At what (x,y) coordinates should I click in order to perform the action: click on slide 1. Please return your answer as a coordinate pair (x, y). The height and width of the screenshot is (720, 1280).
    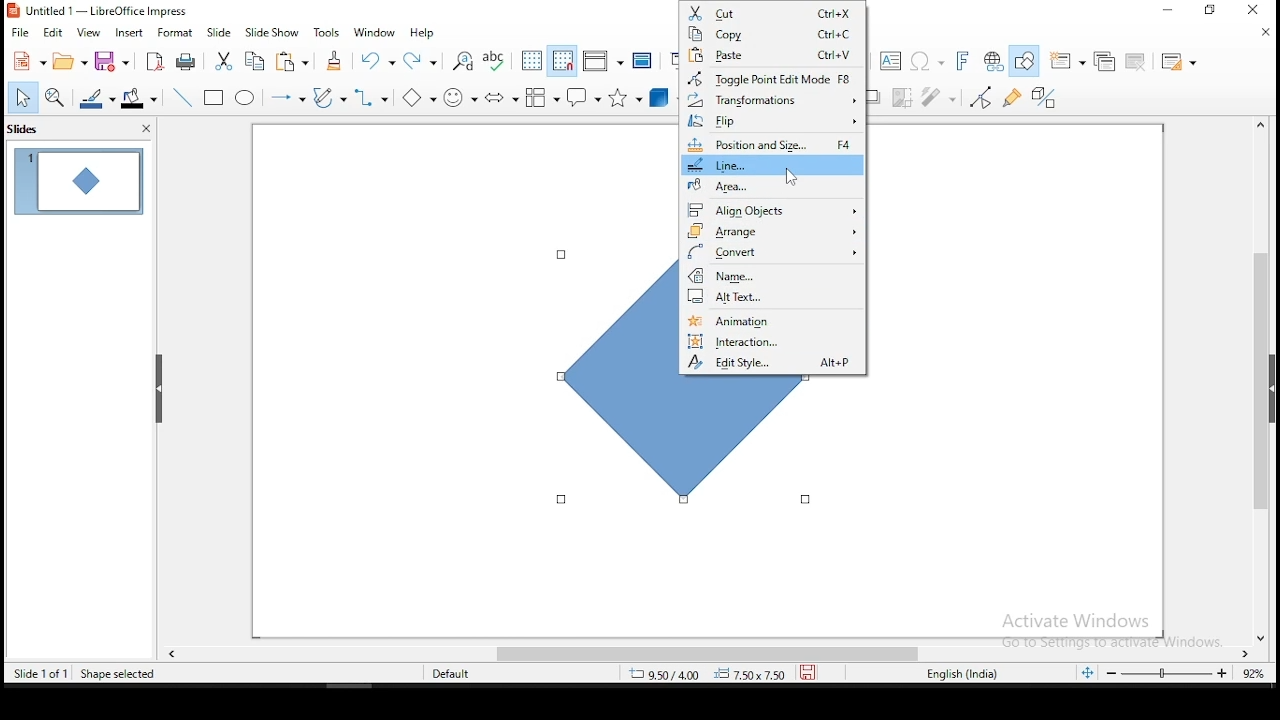
    Looking at the image, I should click on (76, 180).